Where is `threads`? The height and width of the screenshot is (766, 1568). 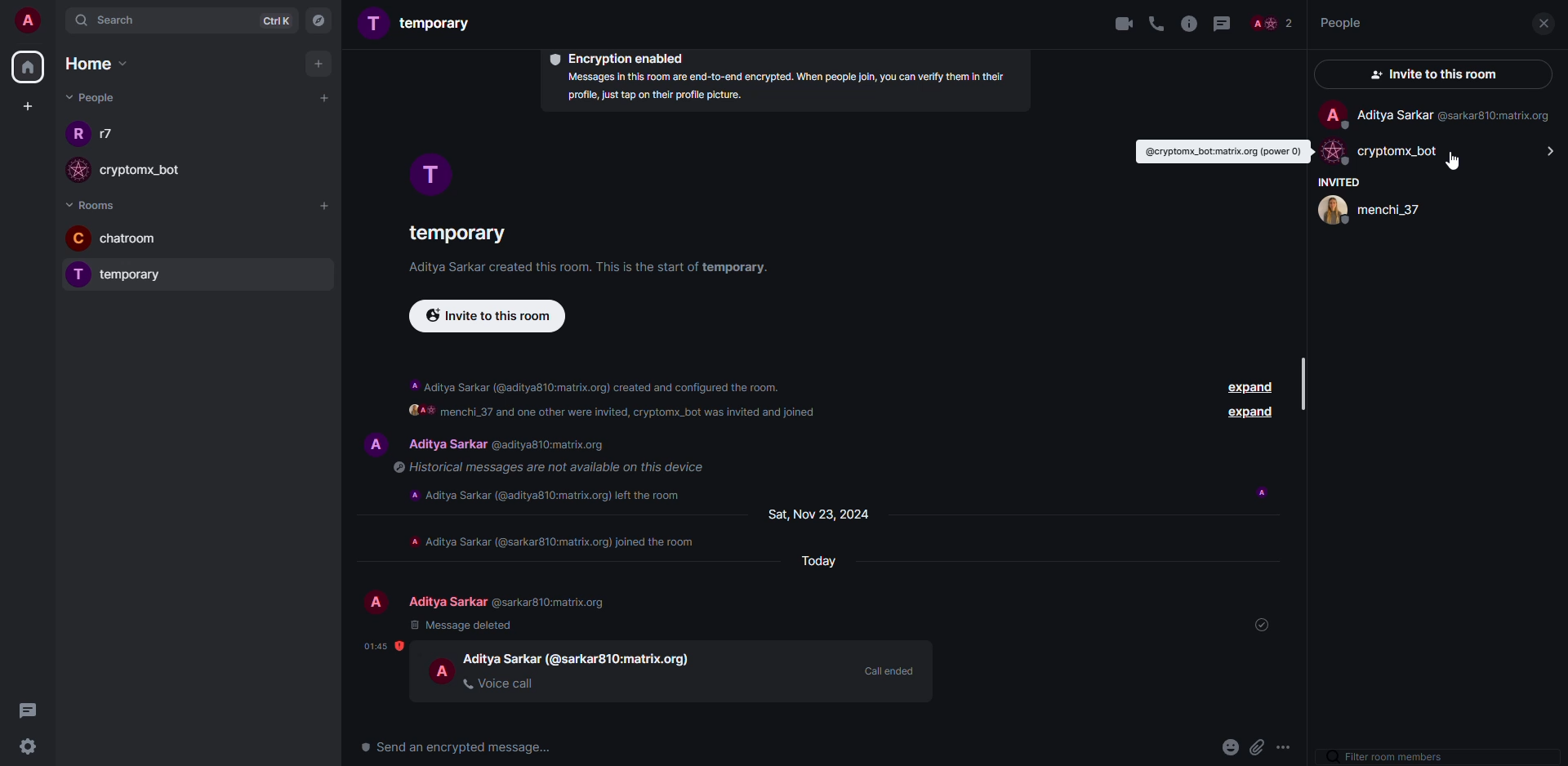
threads is located at coordinates (1222, 24).